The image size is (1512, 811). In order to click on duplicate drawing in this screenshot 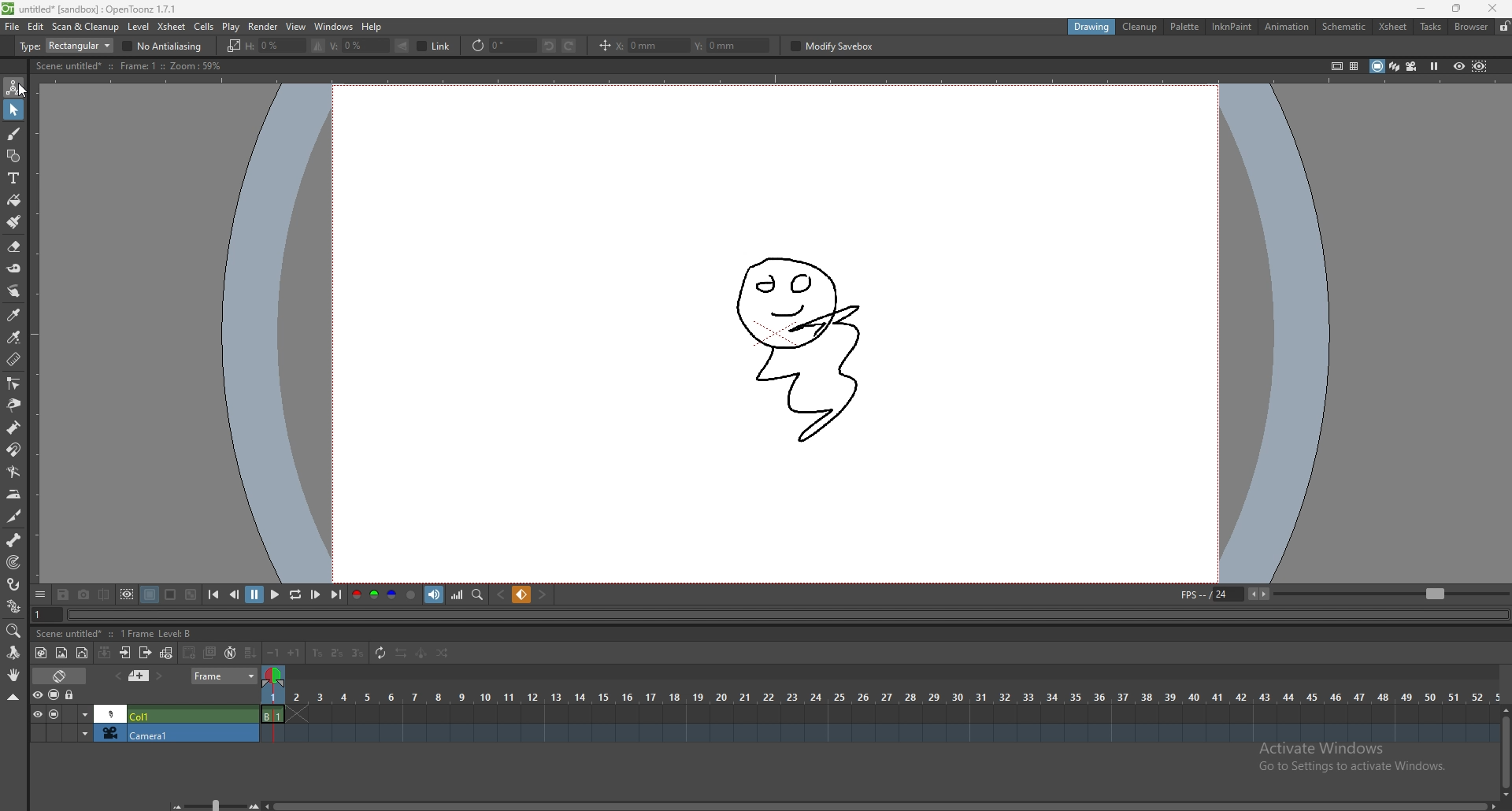, I will do `click(211, 652)`.